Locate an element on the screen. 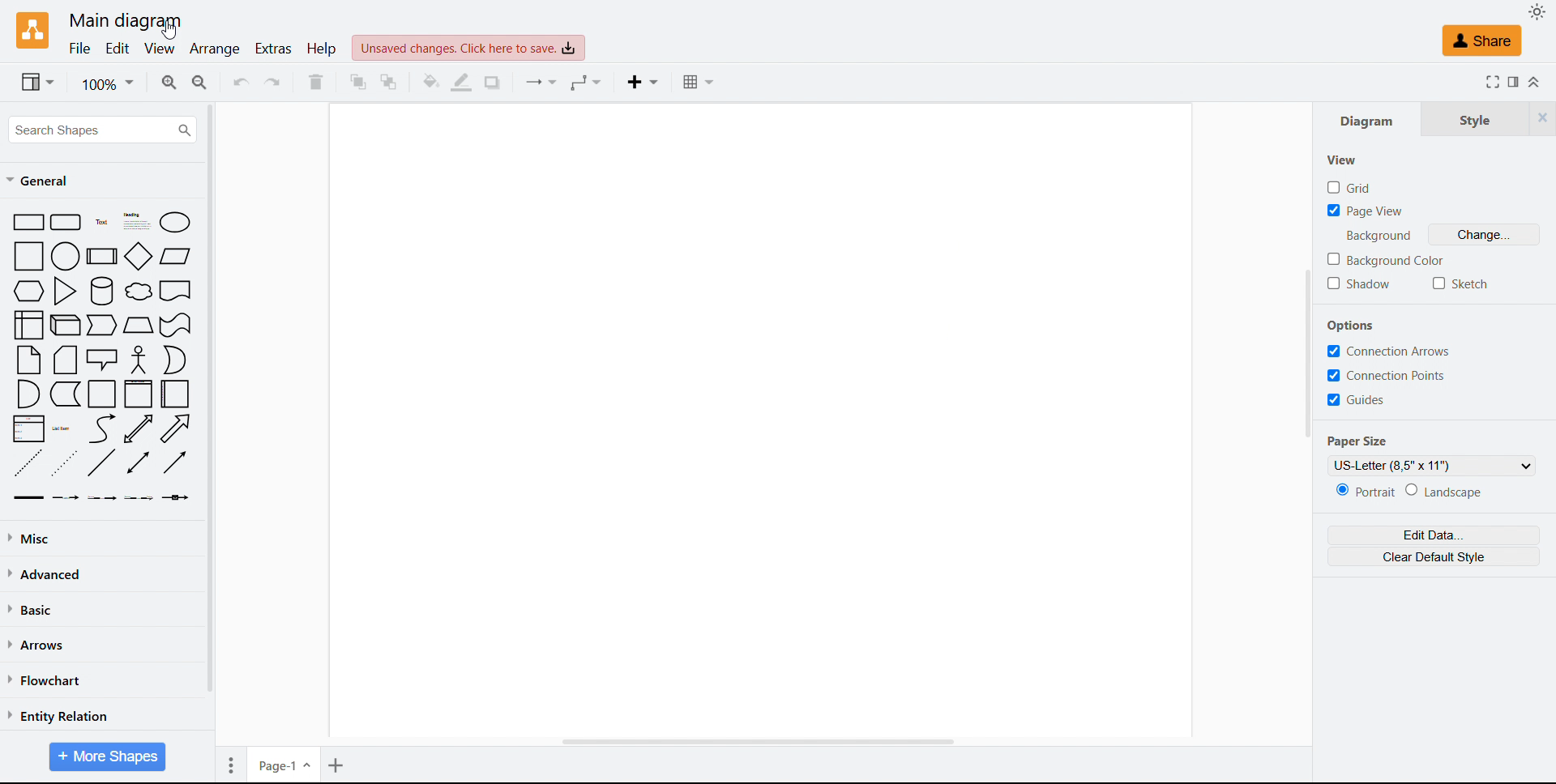  Page option  is located at coordinates (231, 765).